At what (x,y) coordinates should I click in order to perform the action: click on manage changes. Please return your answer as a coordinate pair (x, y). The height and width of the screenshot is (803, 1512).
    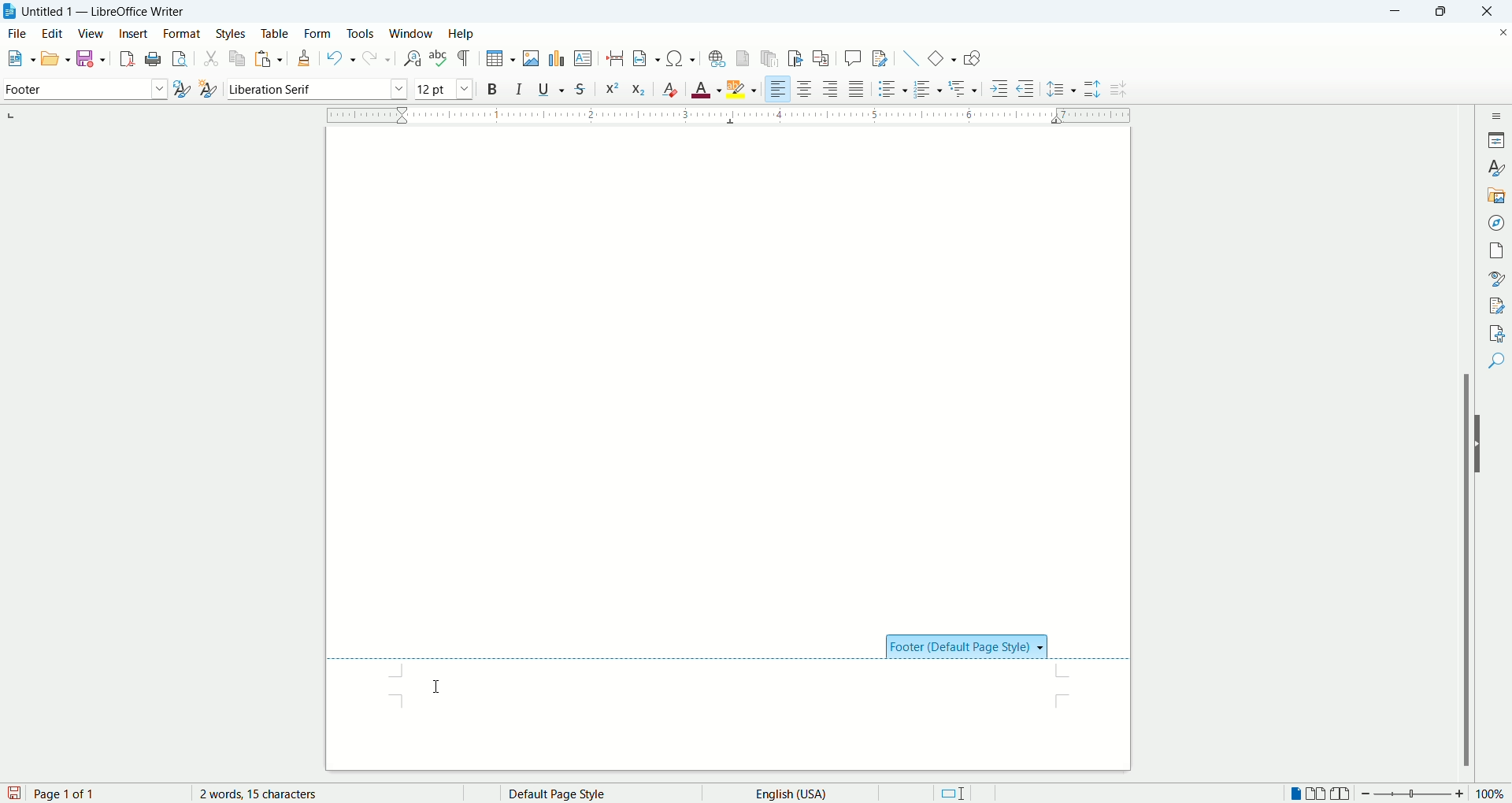
    Looking at the image, I should click on (1498, 306).